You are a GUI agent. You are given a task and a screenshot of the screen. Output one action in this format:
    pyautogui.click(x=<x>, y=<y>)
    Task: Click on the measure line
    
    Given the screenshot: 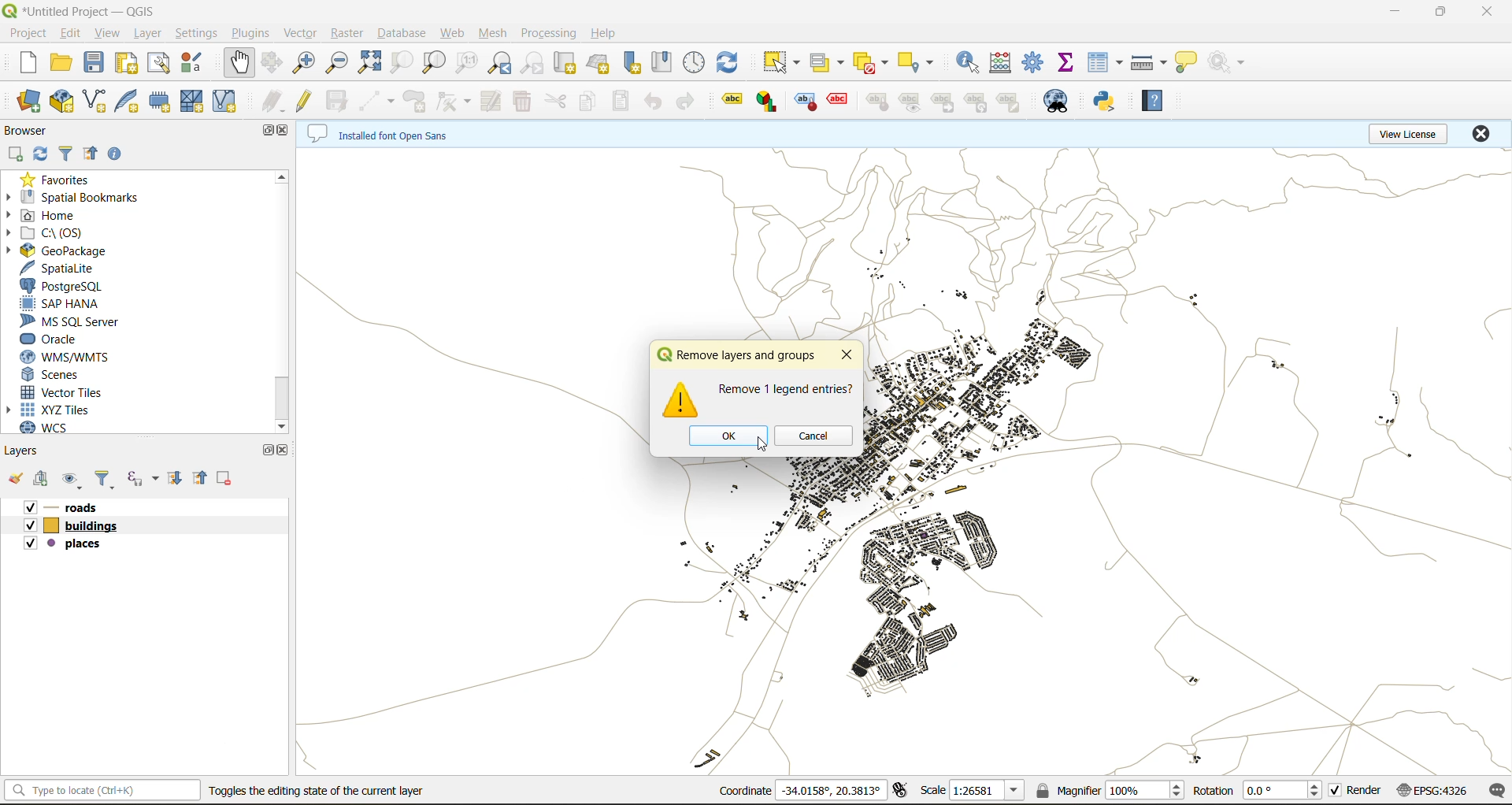 What is the action you would take?
    pyautogui.click(x=1151, y=61)
    